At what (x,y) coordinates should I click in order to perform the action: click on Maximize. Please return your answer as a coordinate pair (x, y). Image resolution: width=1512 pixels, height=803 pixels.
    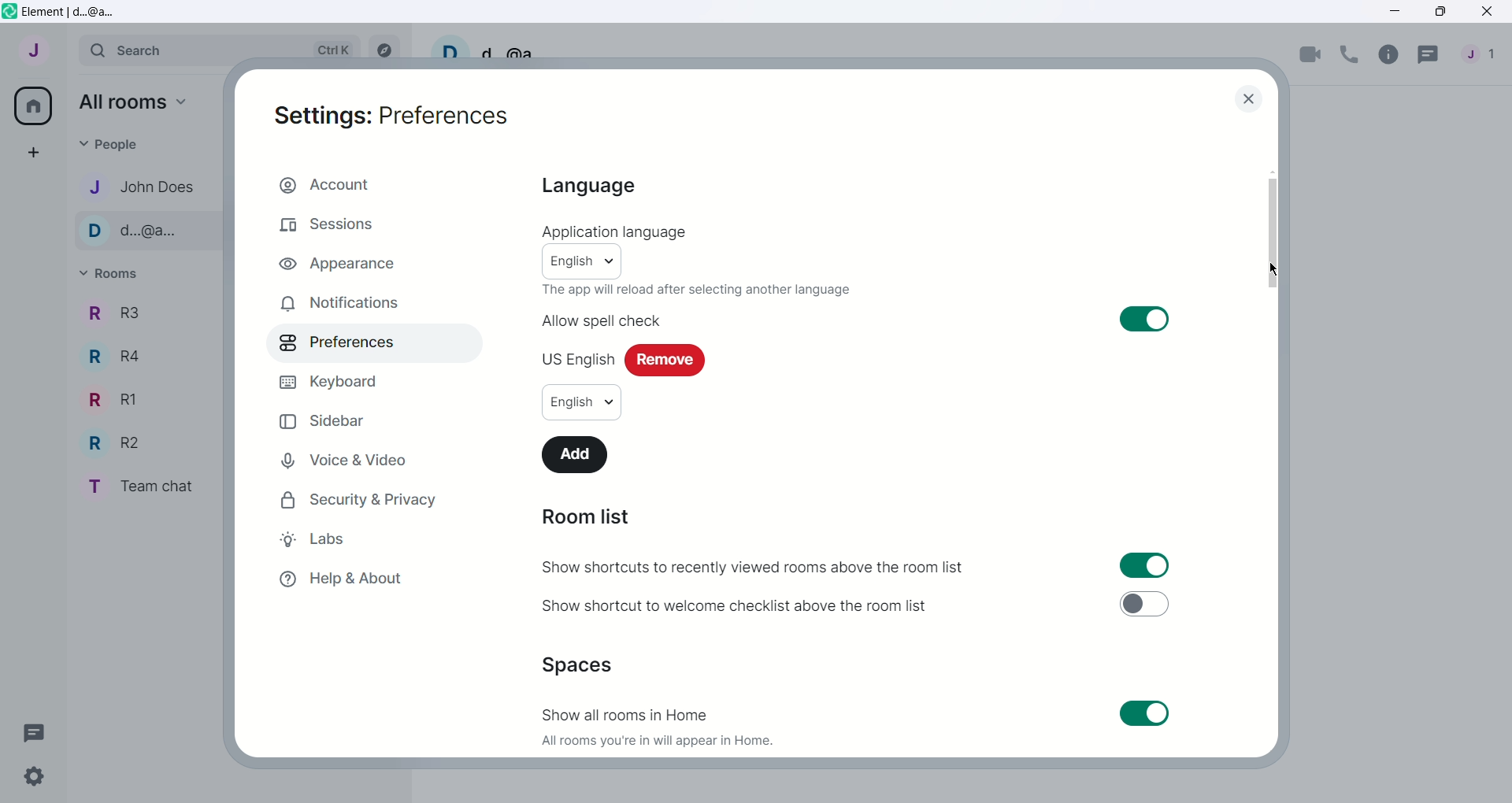
    Looking at the image, I should click on (1443, 11).